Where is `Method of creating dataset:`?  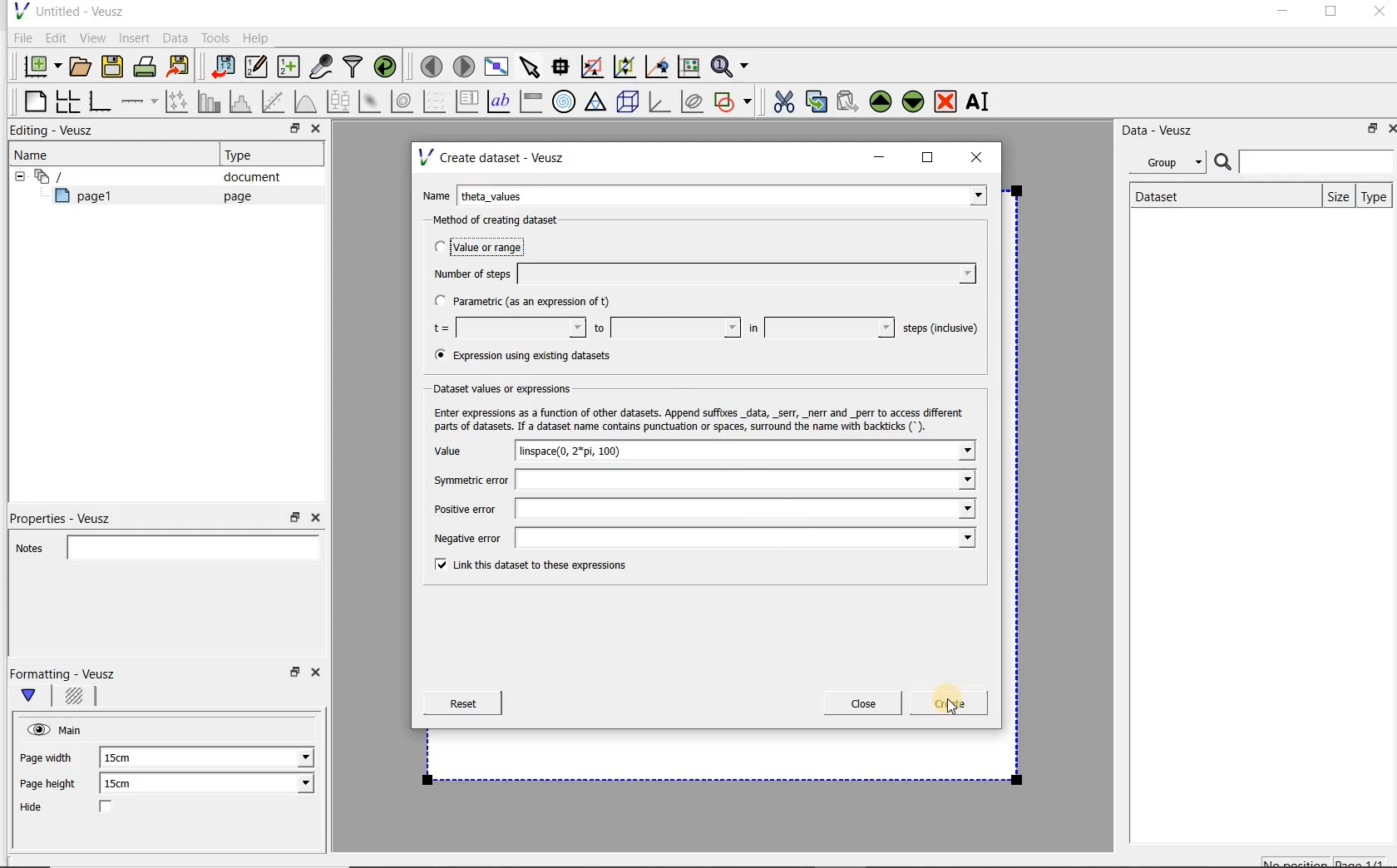
Method of creating dataset: is located at coordinates (508, 220).